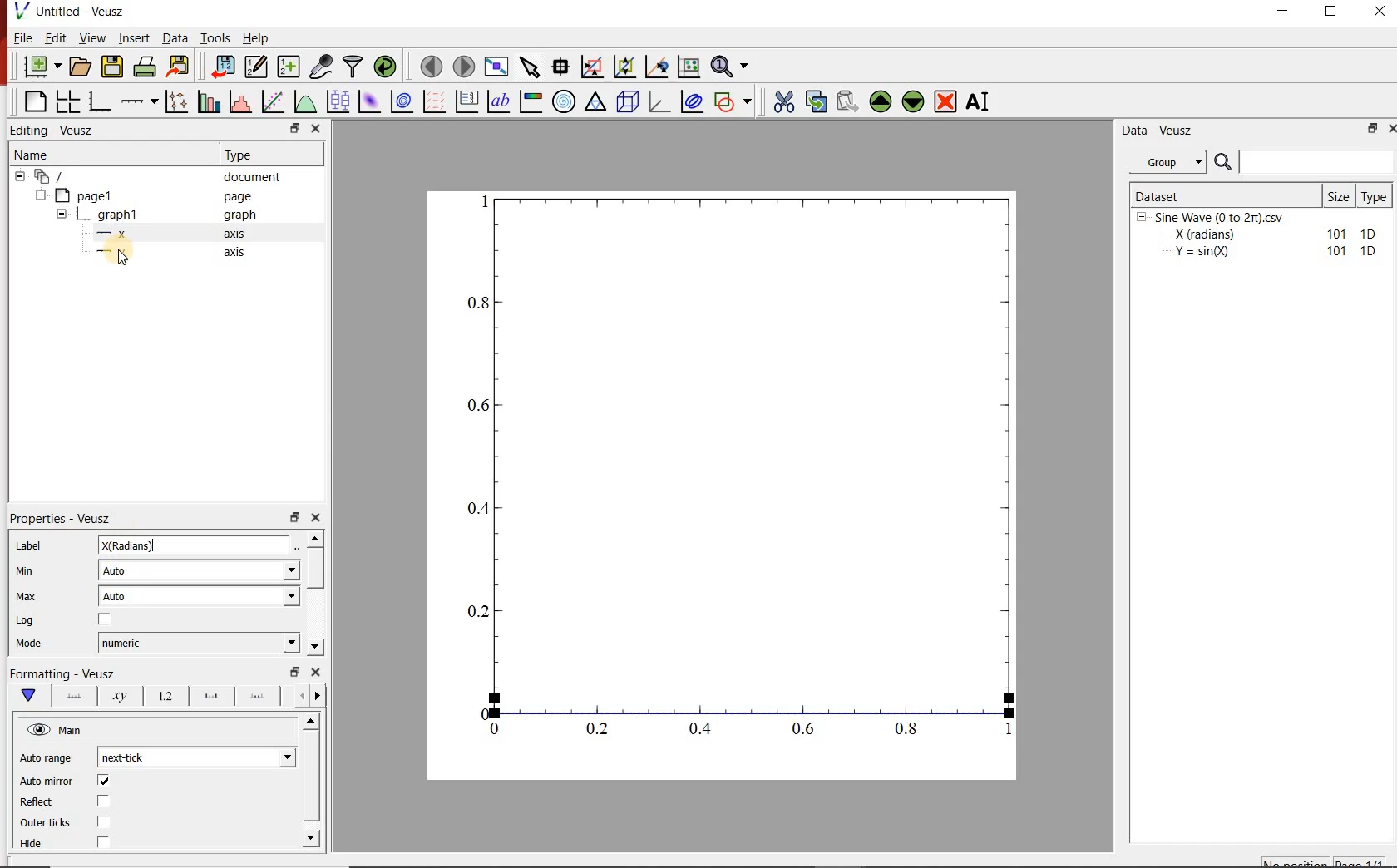 The image size is (1397, 868). What do you see at coordinates (200, 571) in the screenshot?
I see `Auto` at bounding box center [200, 571].